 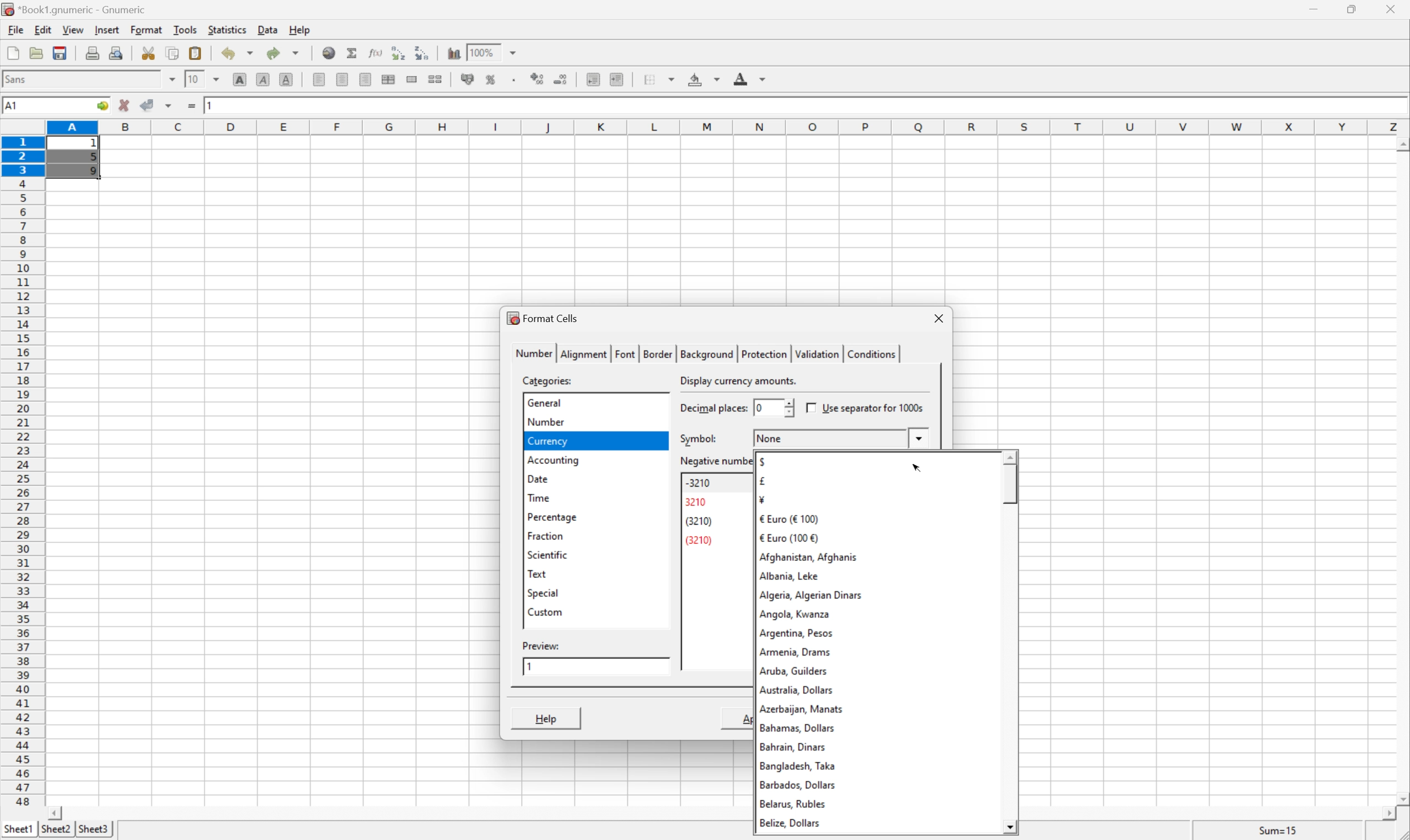 What do you see at coordinates (193, 78) in the screenshot?
I see `10` at bounding box center [193, 78].